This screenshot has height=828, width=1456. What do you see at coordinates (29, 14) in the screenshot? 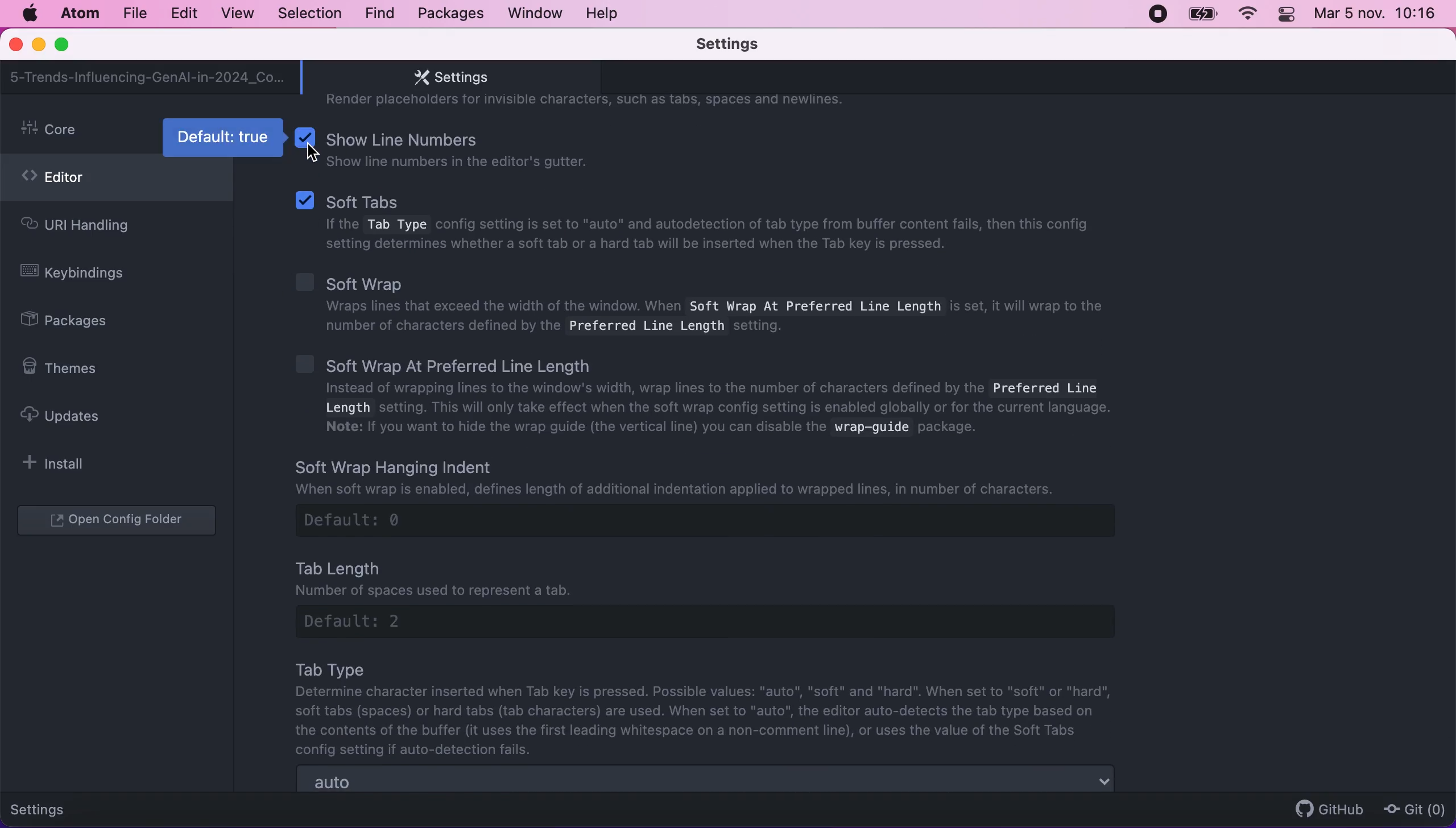
I see `mac logo` at bounding box center [29, 14].